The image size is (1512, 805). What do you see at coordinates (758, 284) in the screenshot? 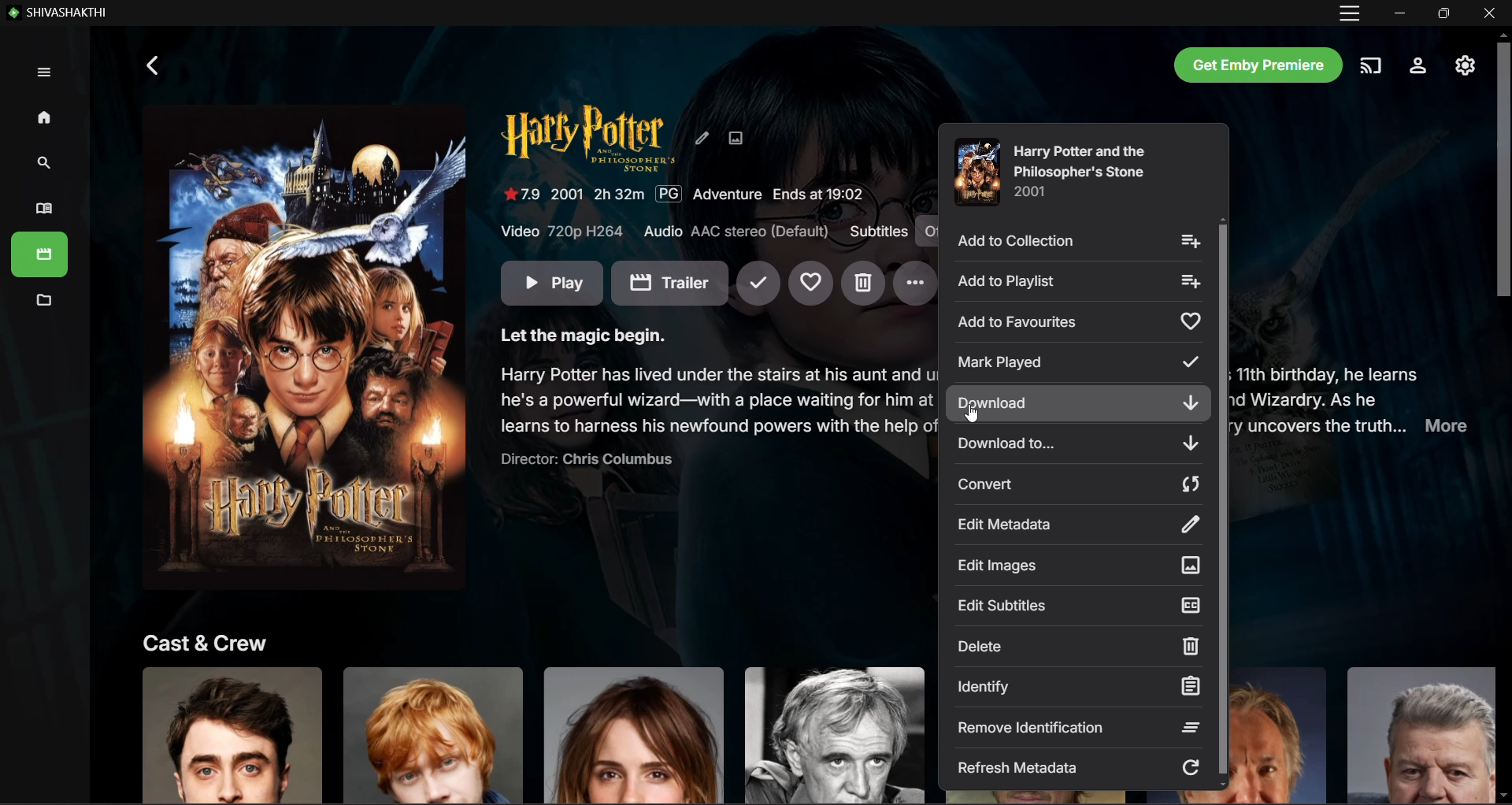
I see `Mark Played` at bounding box center [758, 284].